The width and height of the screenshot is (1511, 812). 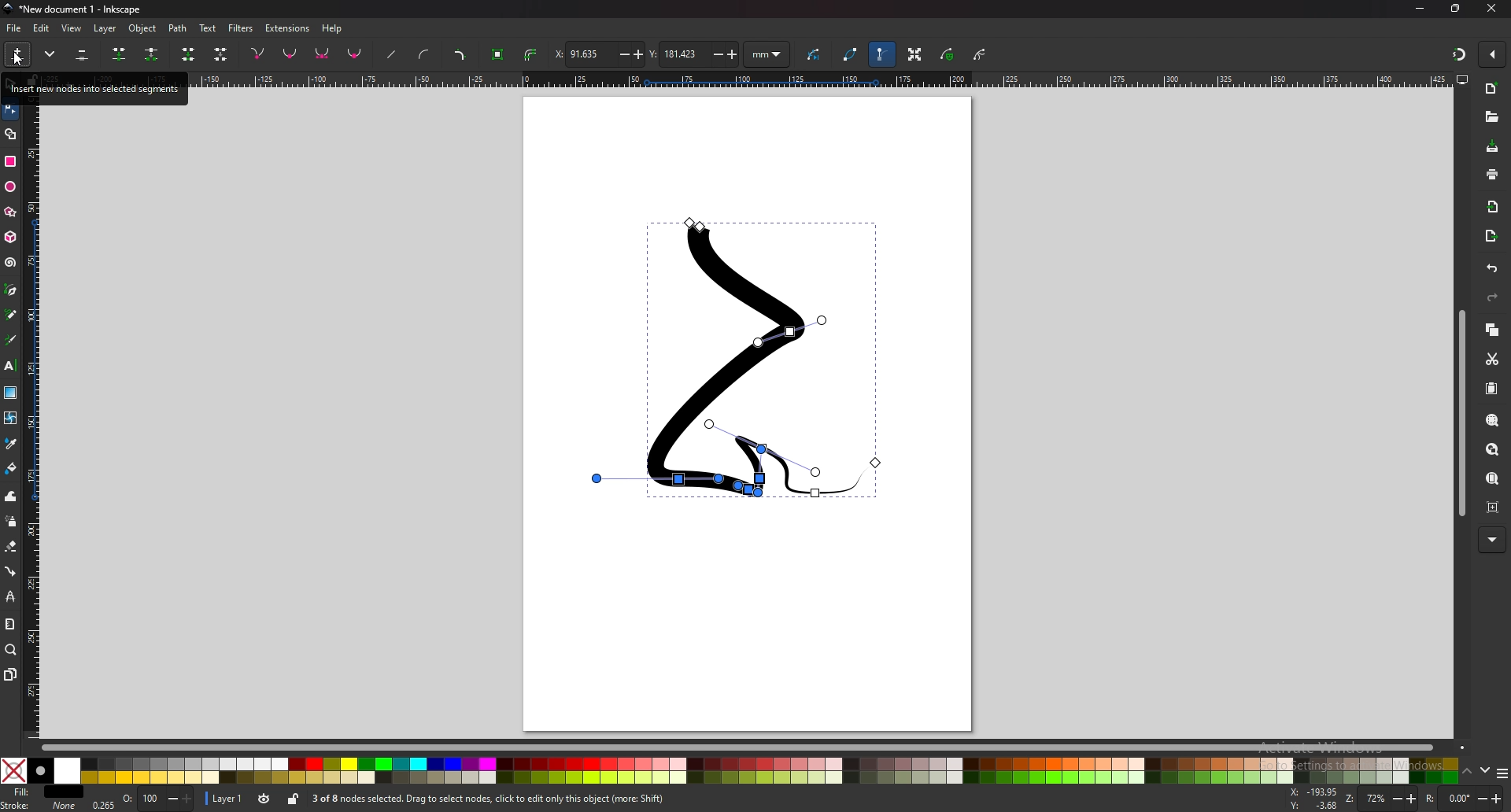 I want to click on mouse coordinates, so click(x=1312, y=799).